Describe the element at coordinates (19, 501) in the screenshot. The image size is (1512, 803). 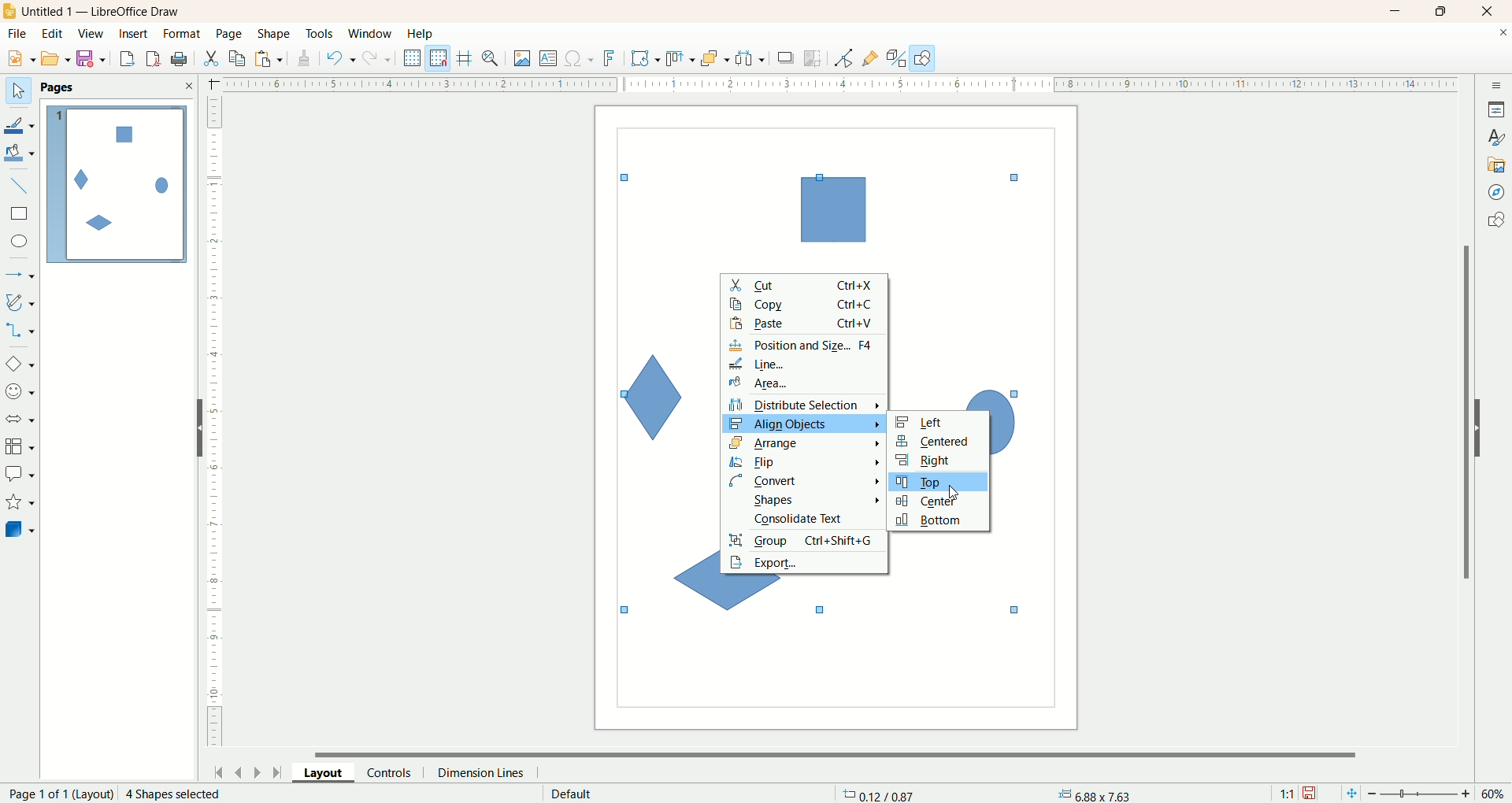
I see `stars and banners` at that location.